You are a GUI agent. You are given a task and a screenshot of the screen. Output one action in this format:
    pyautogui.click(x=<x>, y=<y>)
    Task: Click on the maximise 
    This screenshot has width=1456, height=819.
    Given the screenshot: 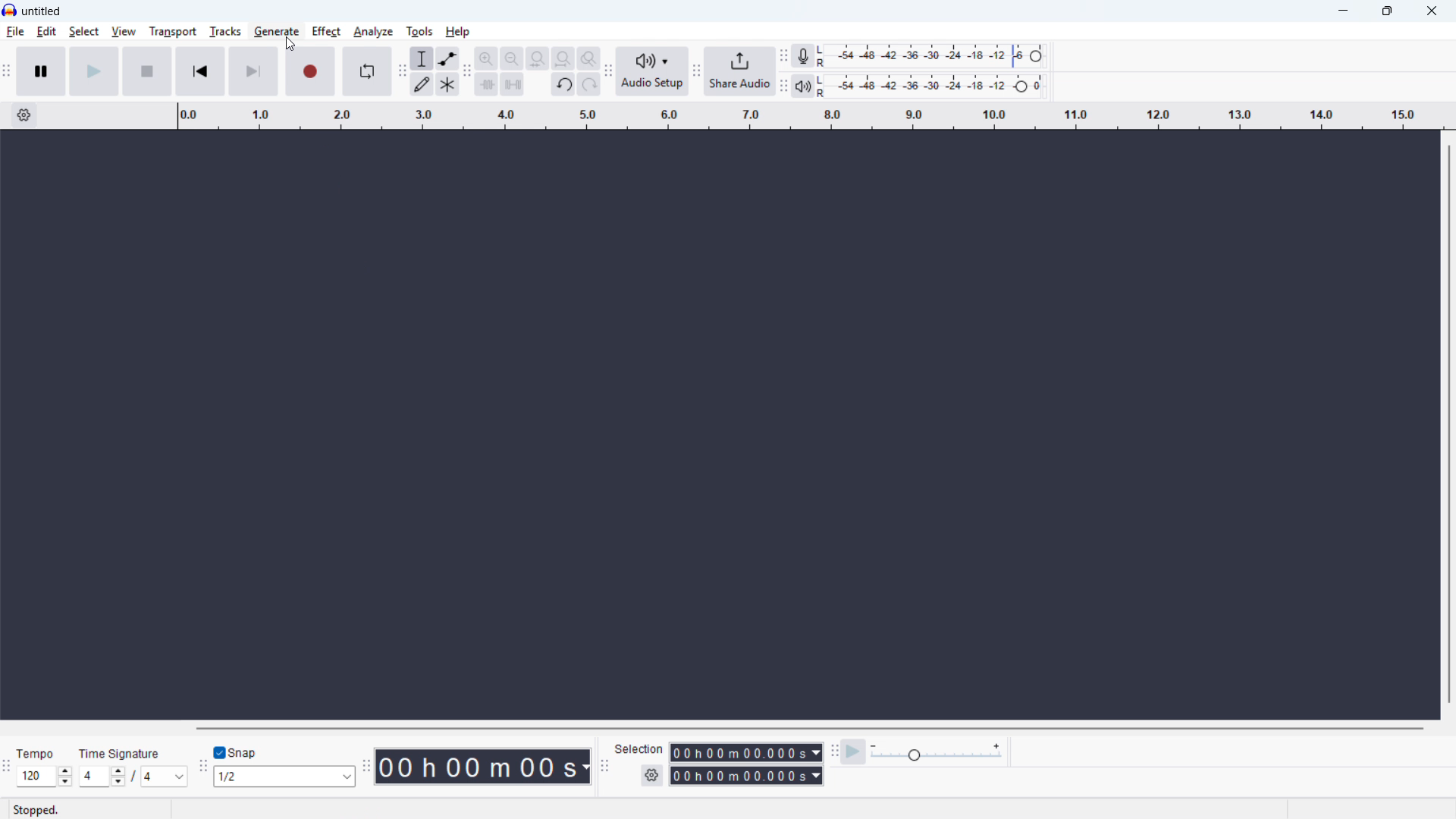 What is the action you would take?
    pyautogui.click(x=1389, y=11)
    